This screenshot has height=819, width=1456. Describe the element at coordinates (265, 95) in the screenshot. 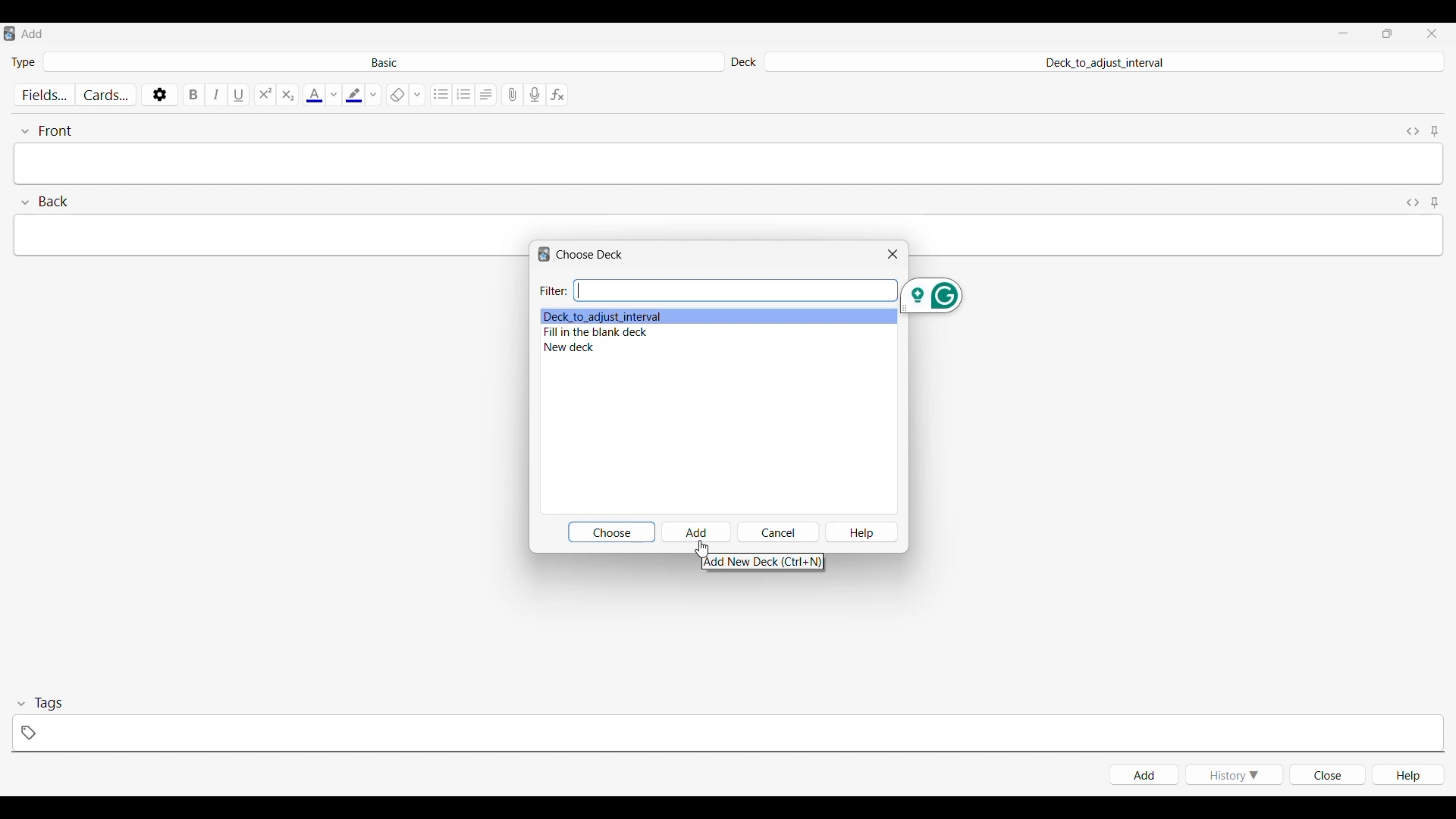

I see `Super script` at that location.